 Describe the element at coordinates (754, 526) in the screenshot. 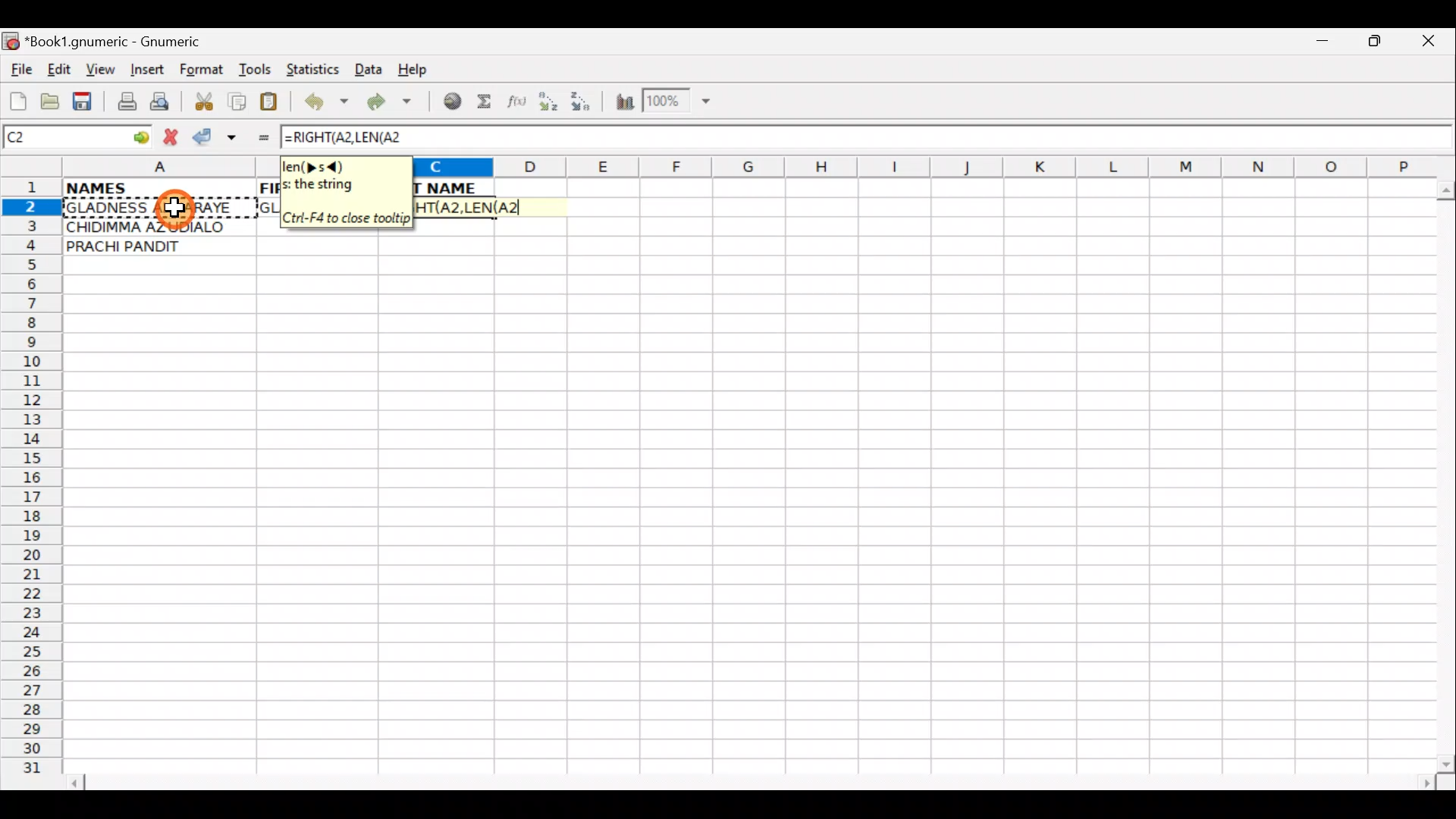

I see `Cells` at that location.